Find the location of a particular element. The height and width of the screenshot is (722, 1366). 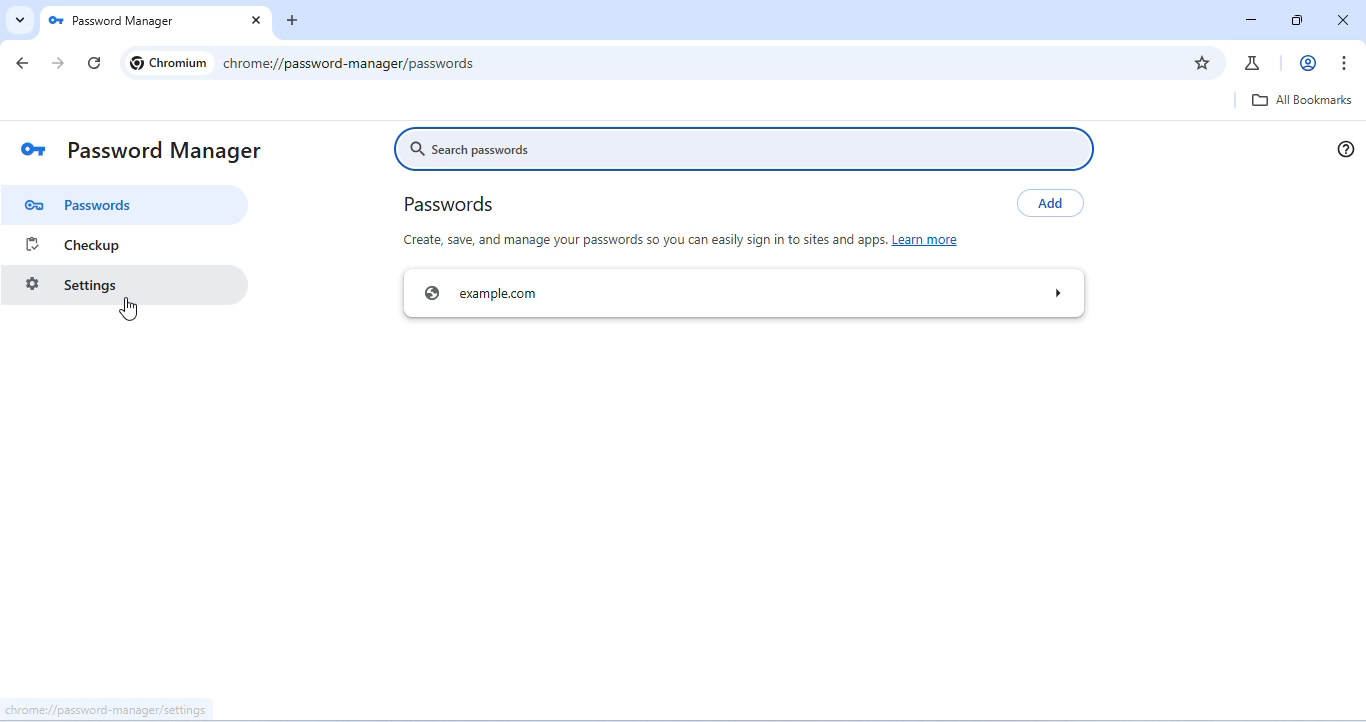

add is located at coordinates (1049, 202).